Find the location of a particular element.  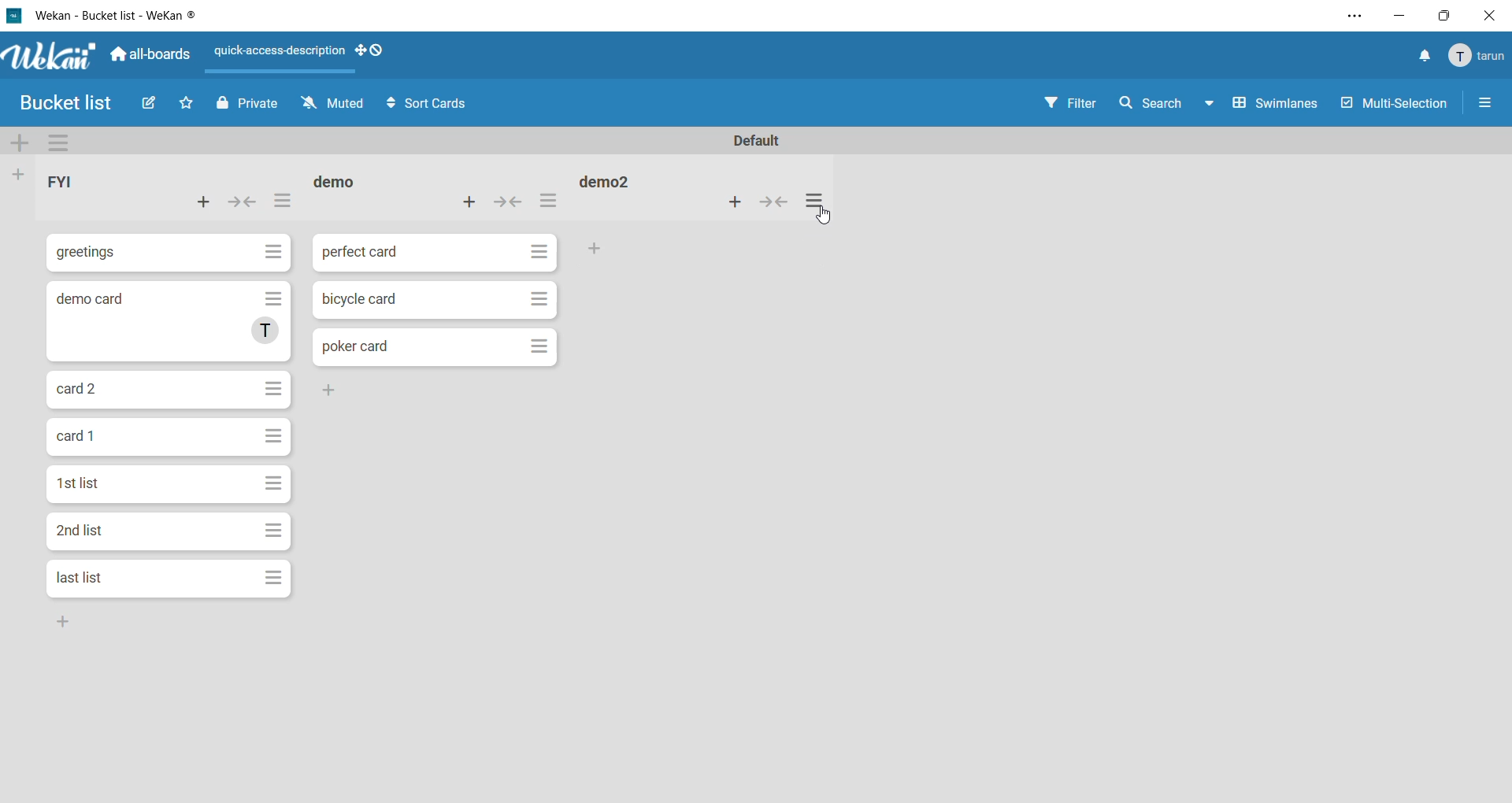

show desktop drag handles is located at coordinates (374, 51).